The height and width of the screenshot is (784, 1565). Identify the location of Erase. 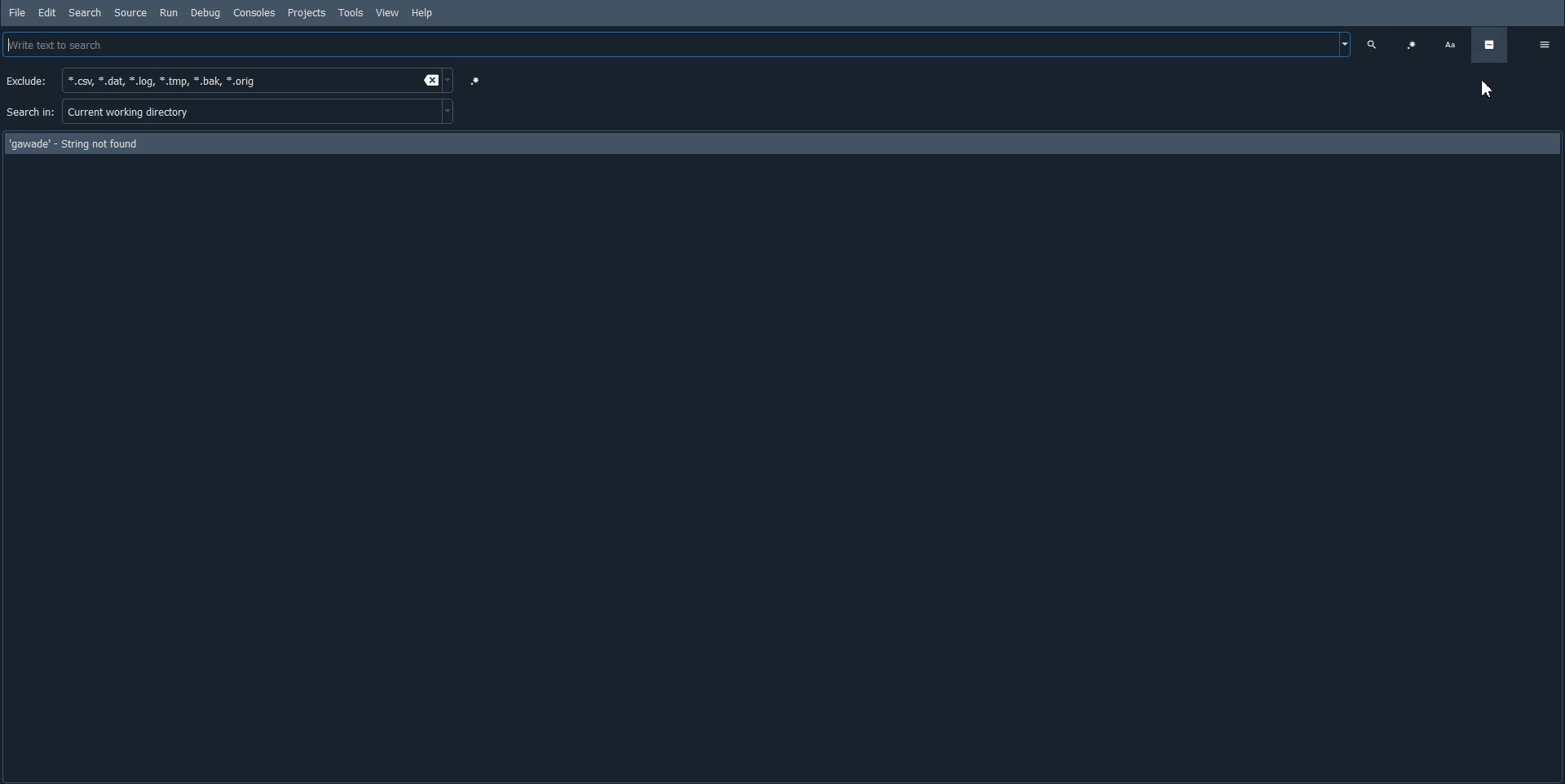
(429, 79).